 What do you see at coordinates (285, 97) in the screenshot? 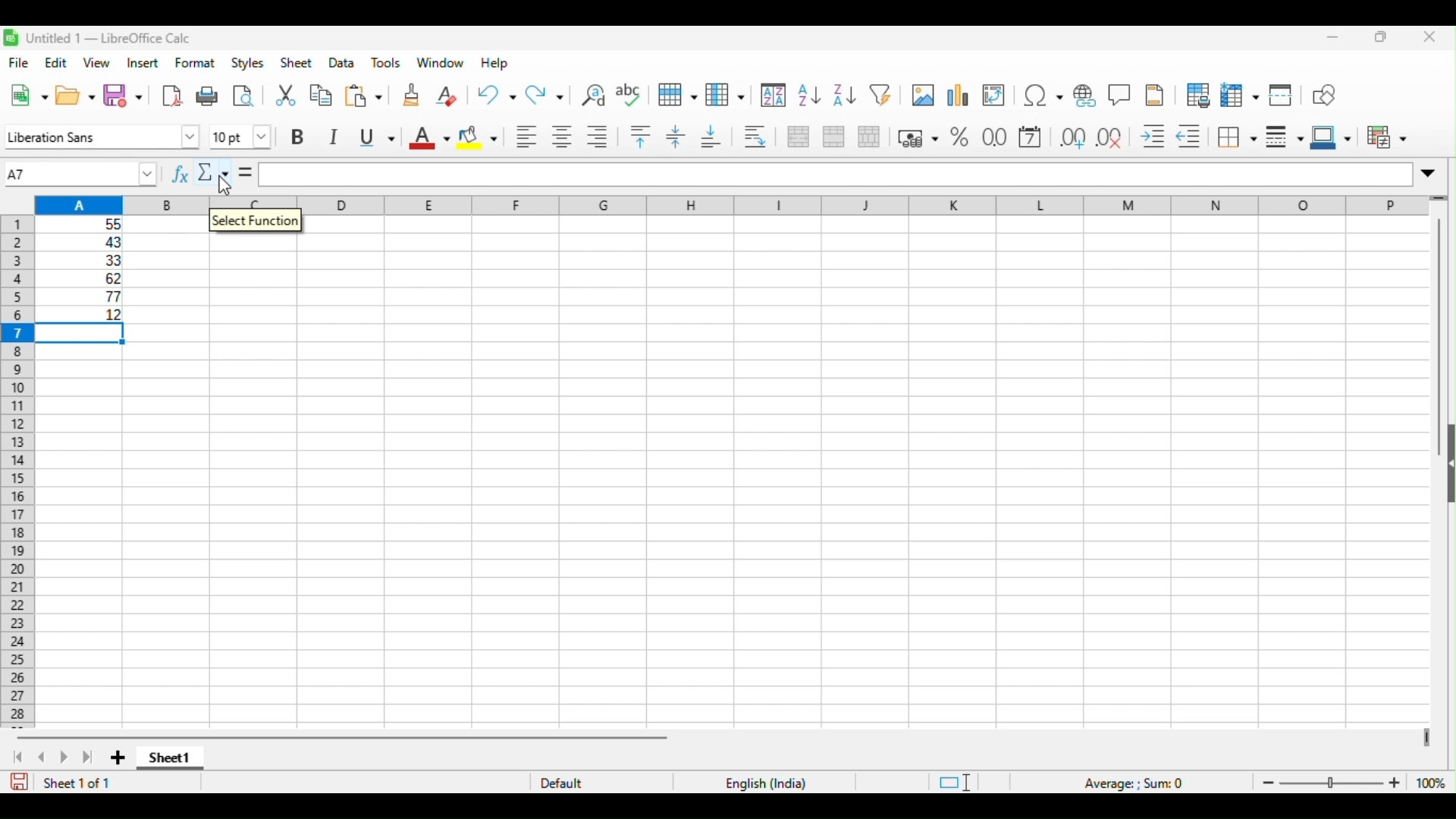
I see `cut` at bounding box center [285, 97].